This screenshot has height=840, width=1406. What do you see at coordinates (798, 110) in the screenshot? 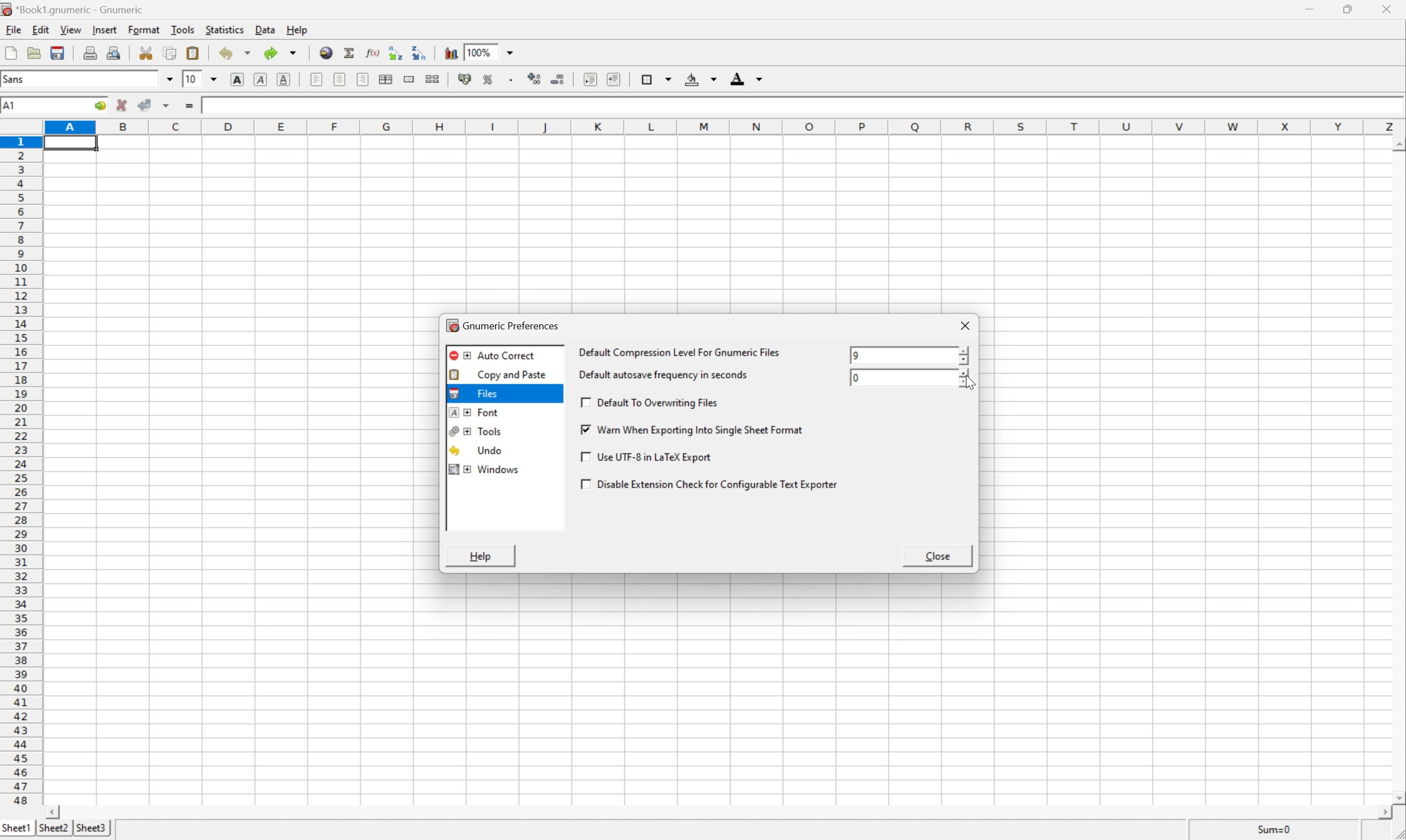
I see `Formula bar` at bounding box center [798, 110].